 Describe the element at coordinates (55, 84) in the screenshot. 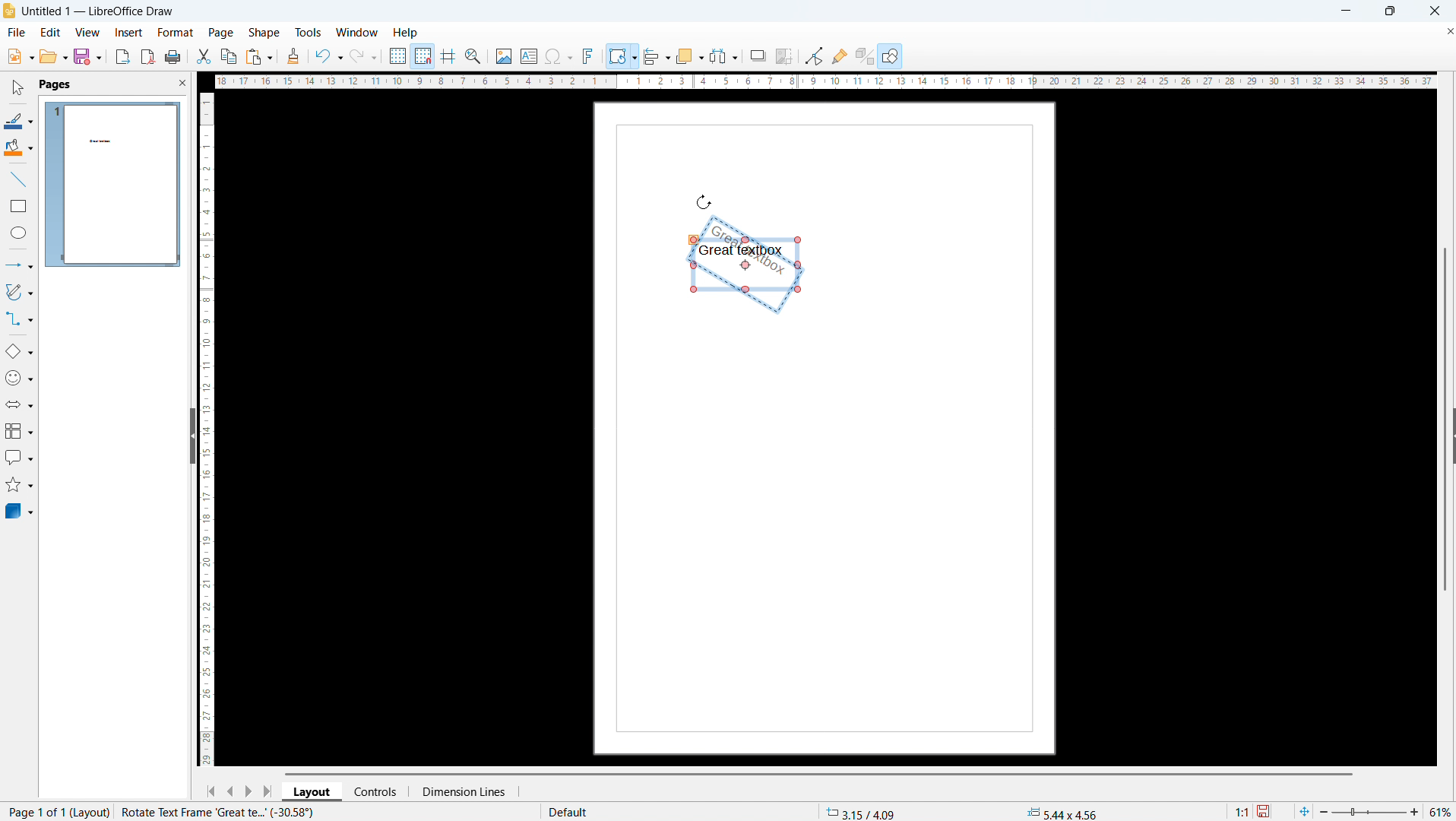

I see `pages` at that location.